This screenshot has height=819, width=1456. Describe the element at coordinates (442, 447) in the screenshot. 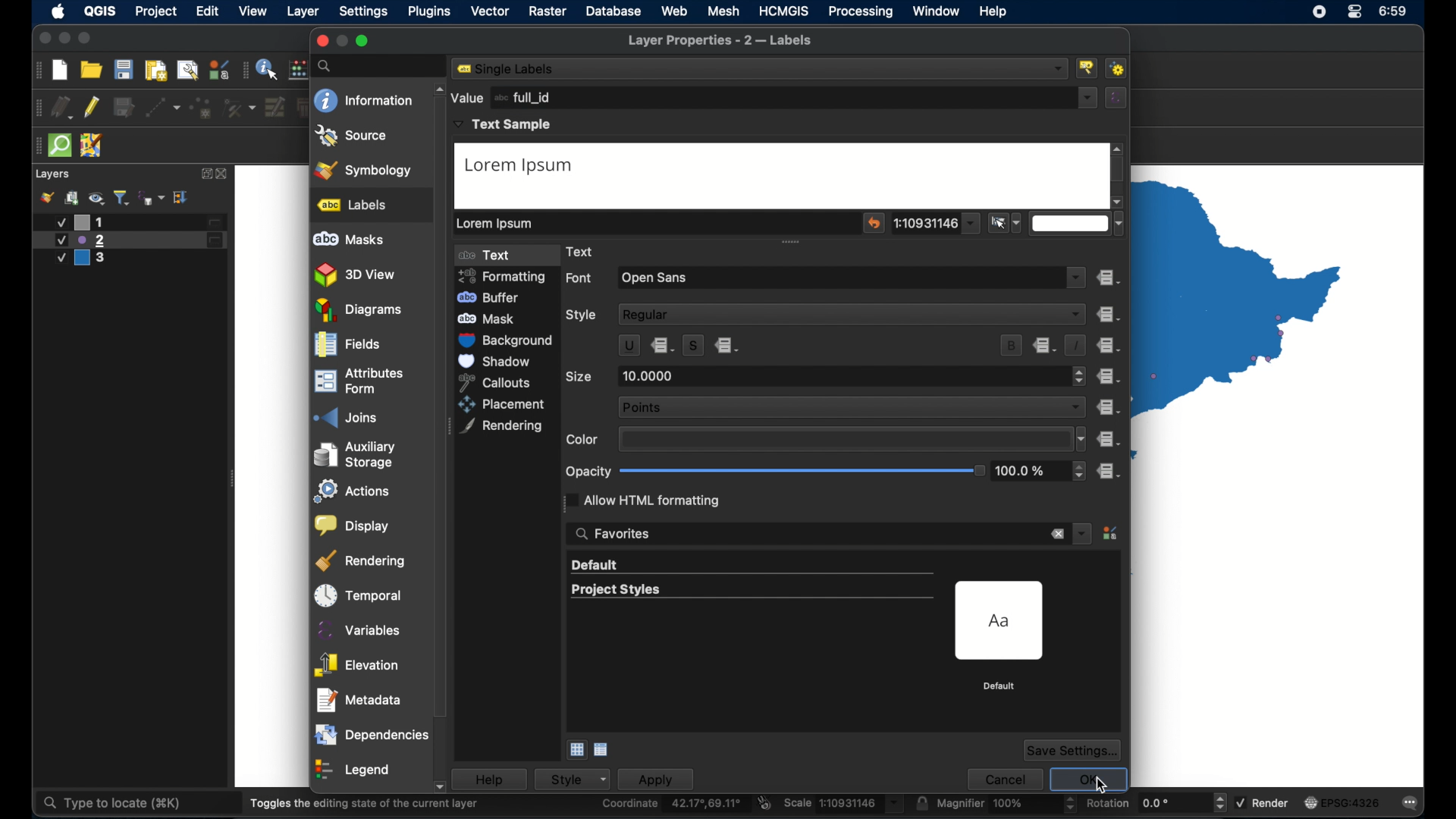

I see `scroll box` at that location.